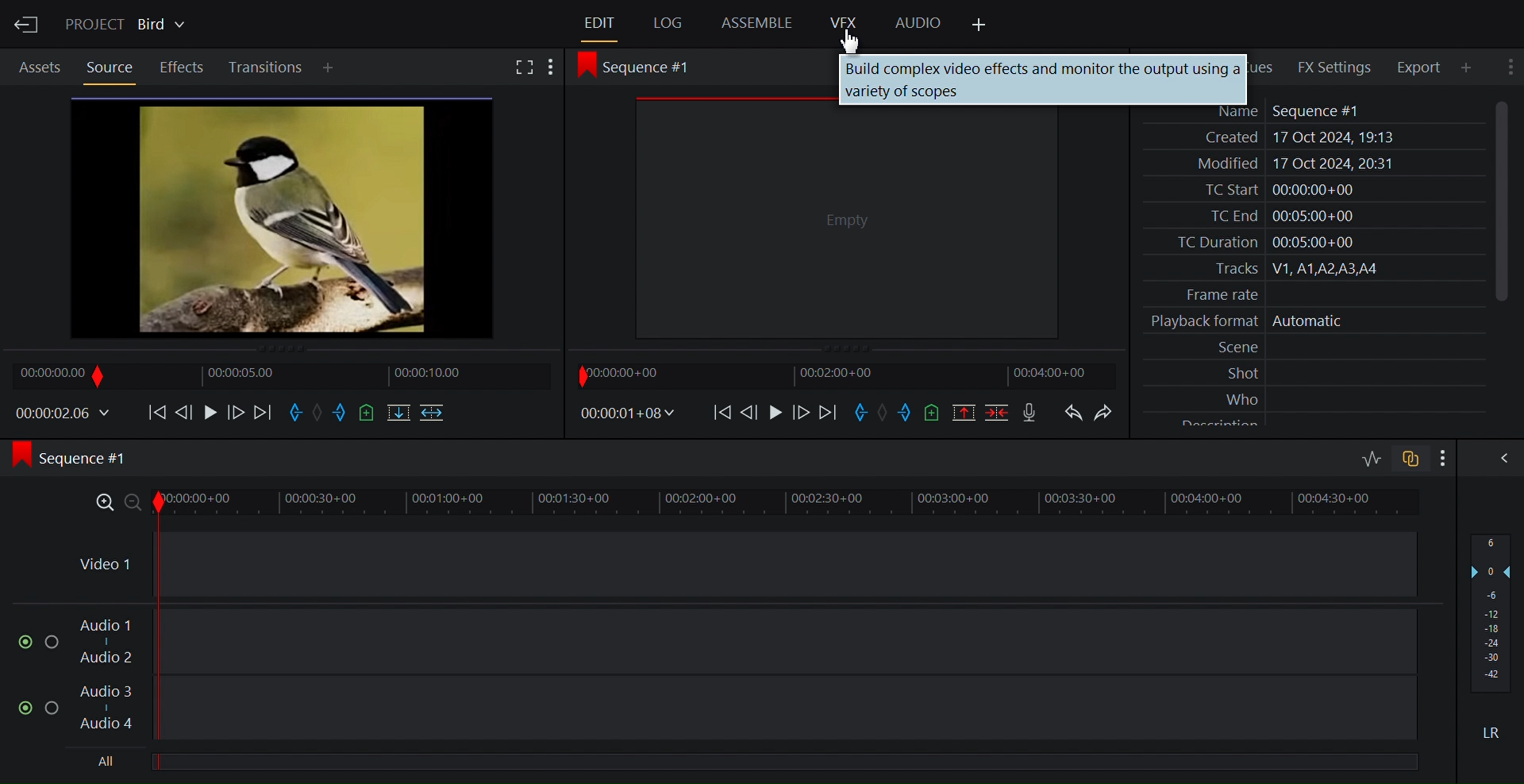 This screenshot has width=1524, height=784. Describe the element at coordinates (23, 707) in the screenshot. I see `Mute/Unmute` at that location.